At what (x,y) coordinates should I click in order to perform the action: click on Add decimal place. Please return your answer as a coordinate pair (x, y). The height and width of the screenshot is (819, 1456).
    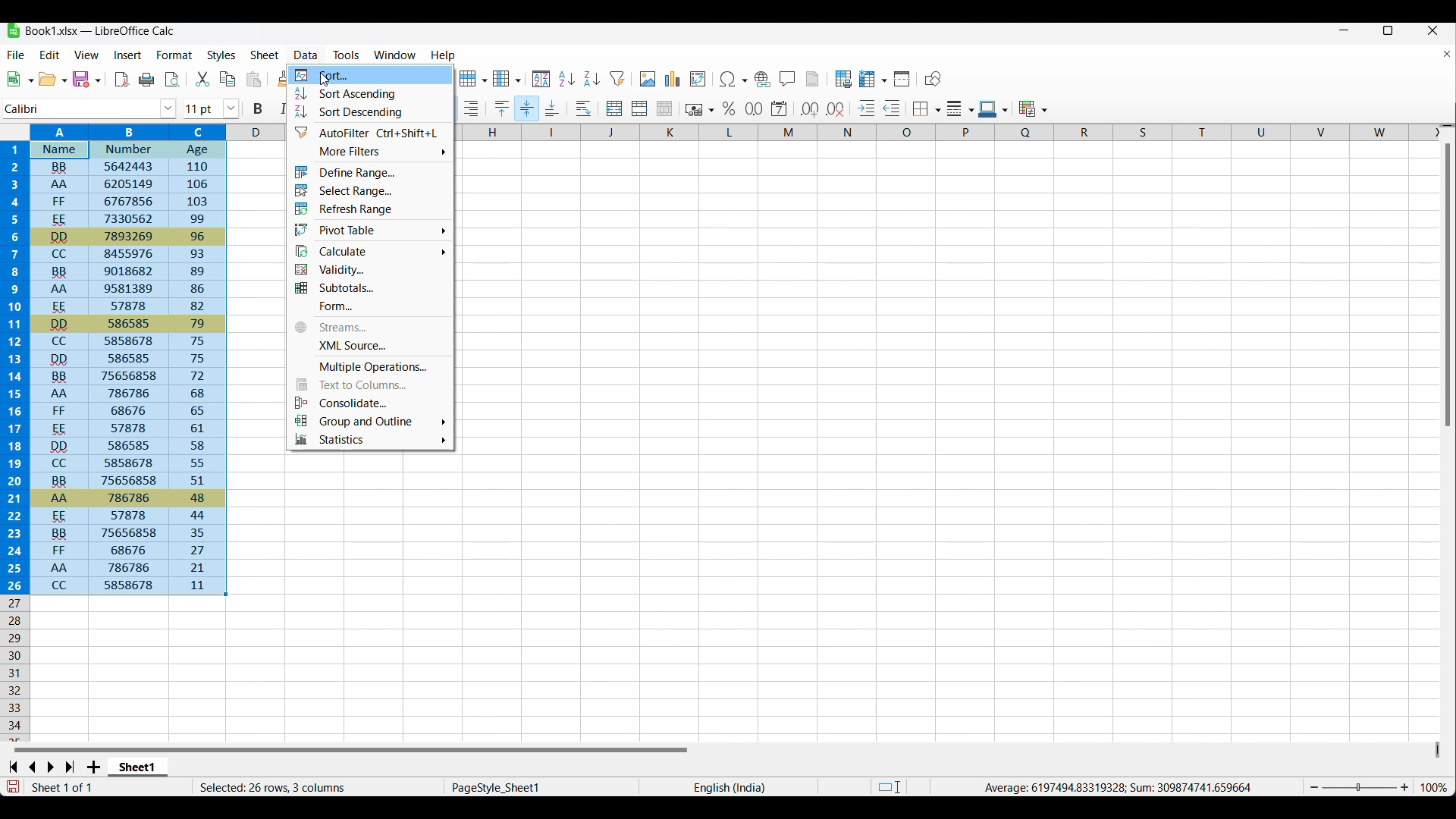
    Looking at the image, I should click on (810, 109).